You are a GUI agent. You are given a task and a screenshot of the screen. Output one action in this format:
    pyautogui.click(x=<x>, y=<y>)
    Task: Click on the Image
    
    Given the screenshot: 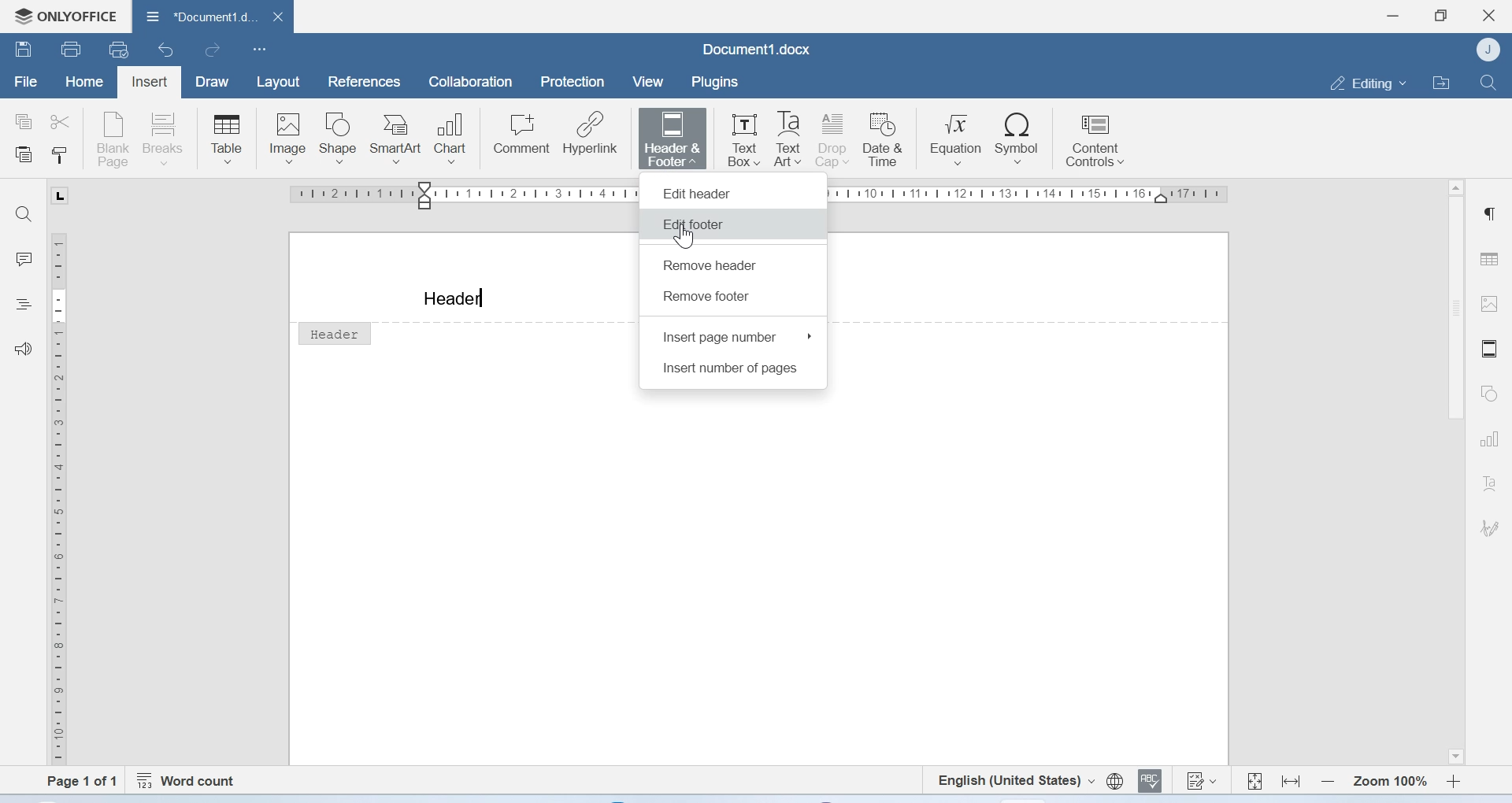 What is the action you would take?
    pyautogui.click(x=1492, y=306)
    